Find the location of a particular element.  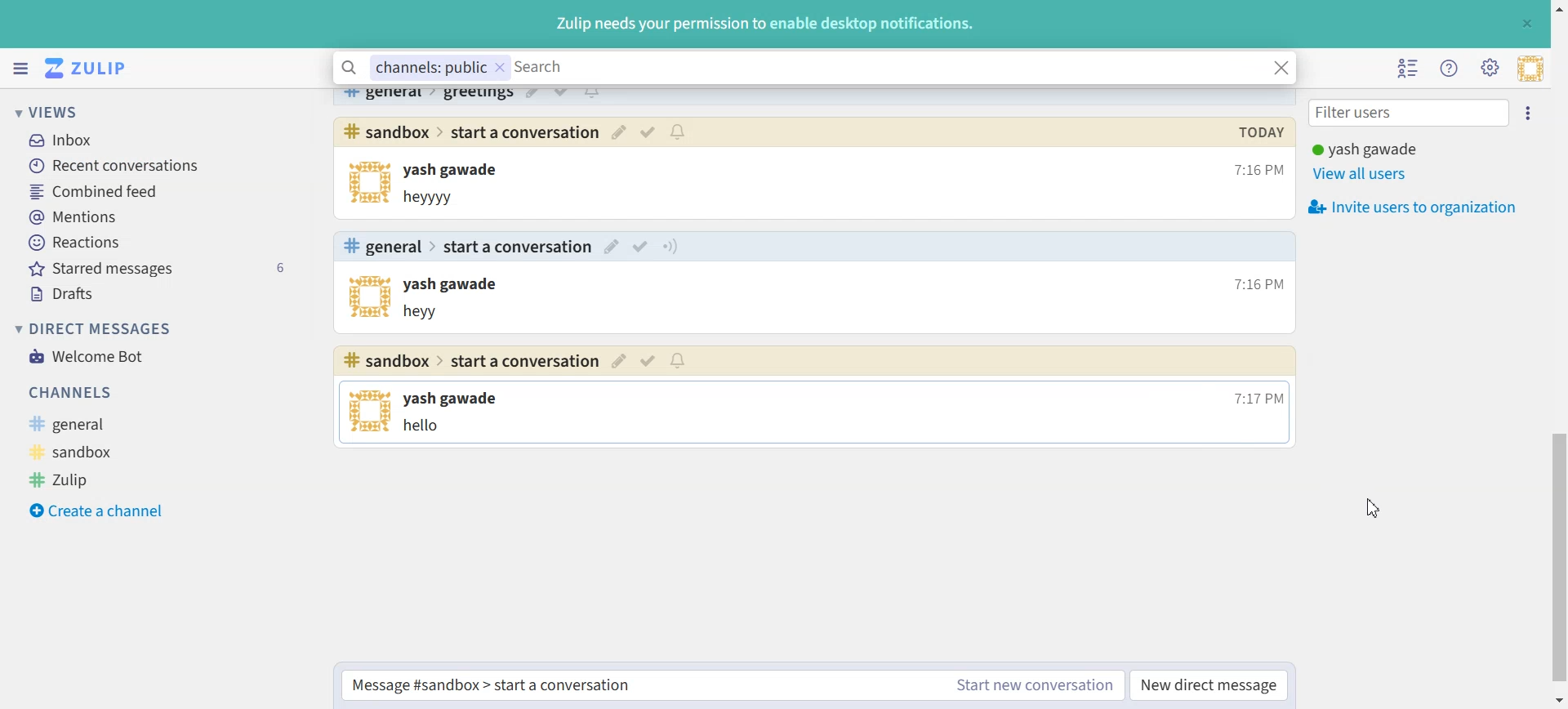

Zulip is located at coordinates (87, 479).